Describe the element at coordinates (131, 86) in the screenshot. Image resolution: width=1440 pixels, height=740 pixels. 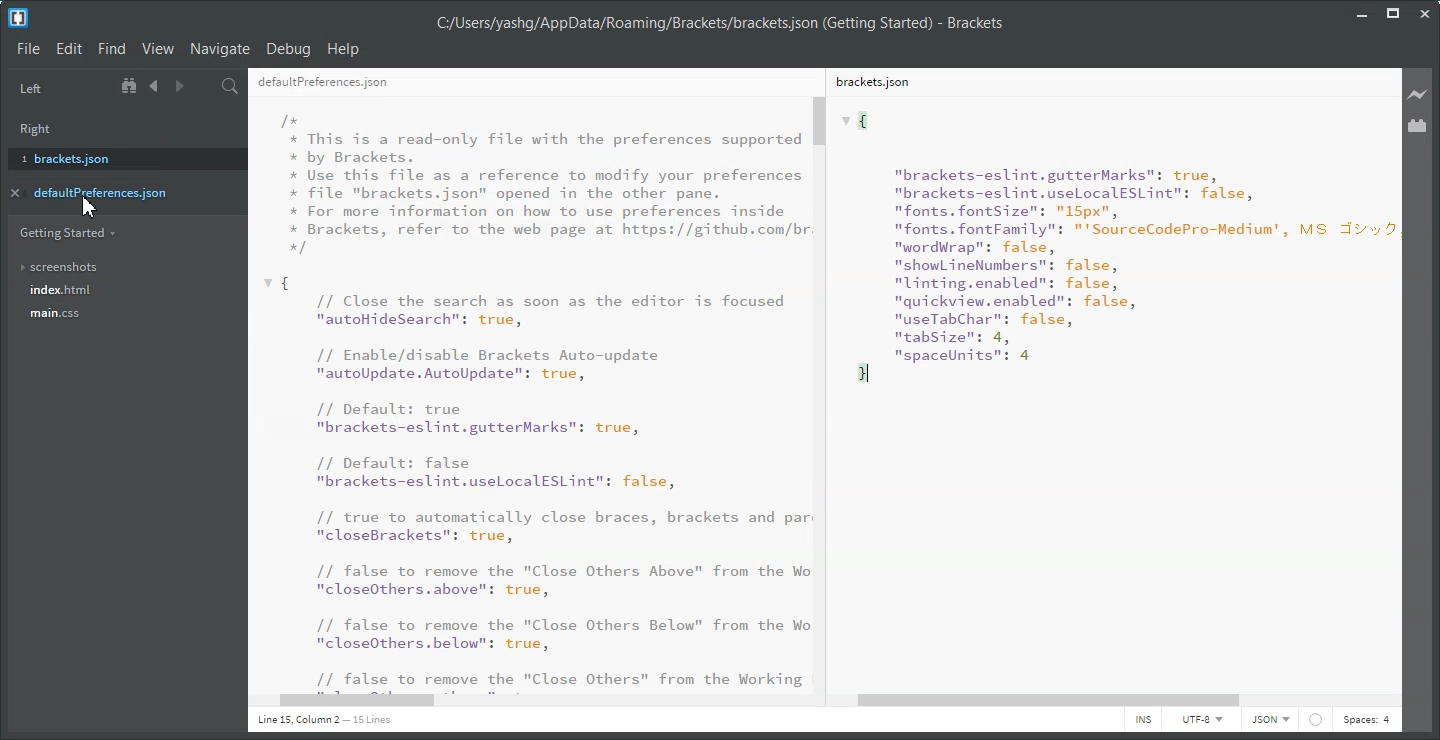
I see `Show in file tree` at that location.